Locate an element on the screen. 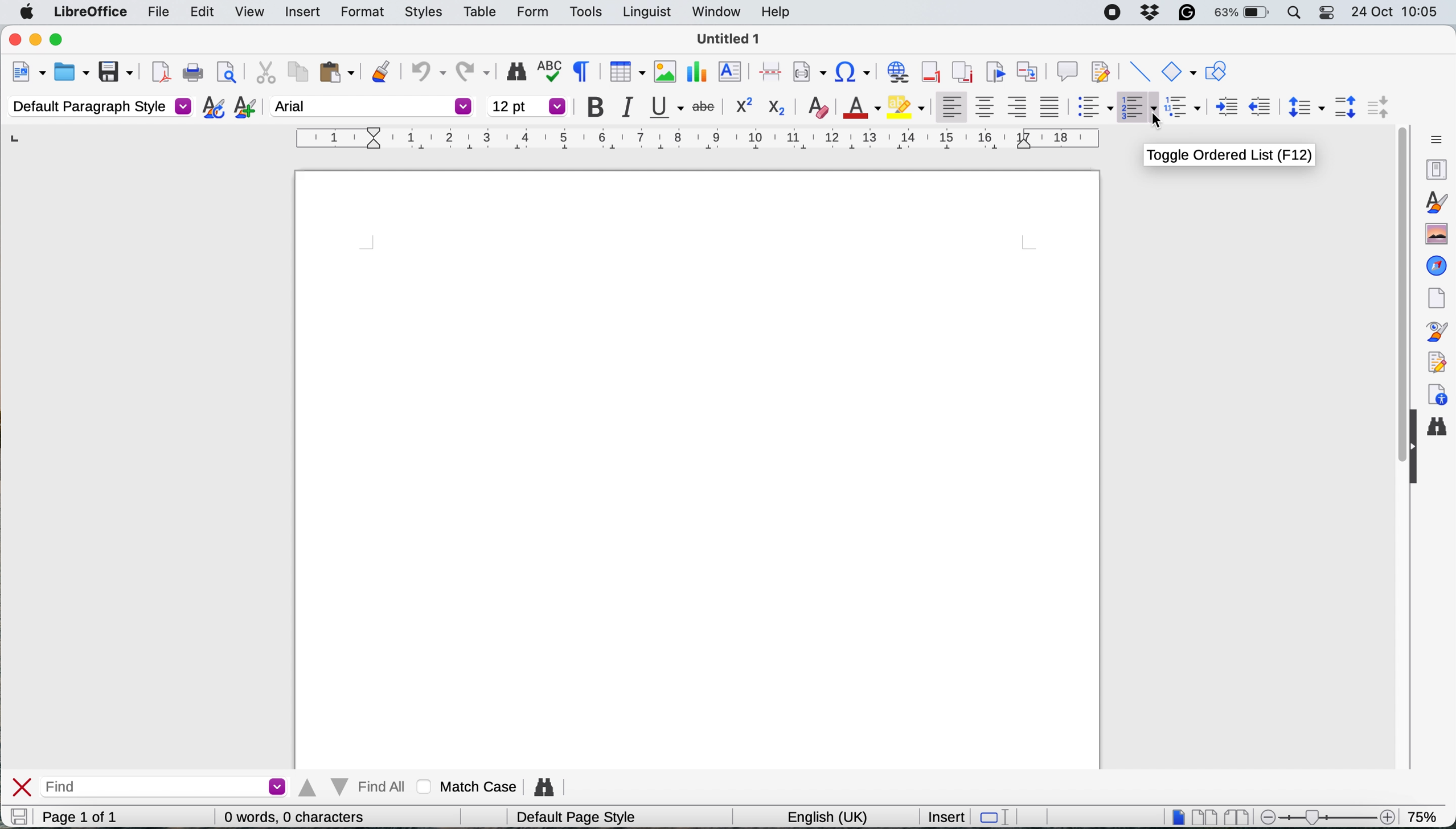 The image size is (1456, 829). minimise is located at coordinates (36, 40).